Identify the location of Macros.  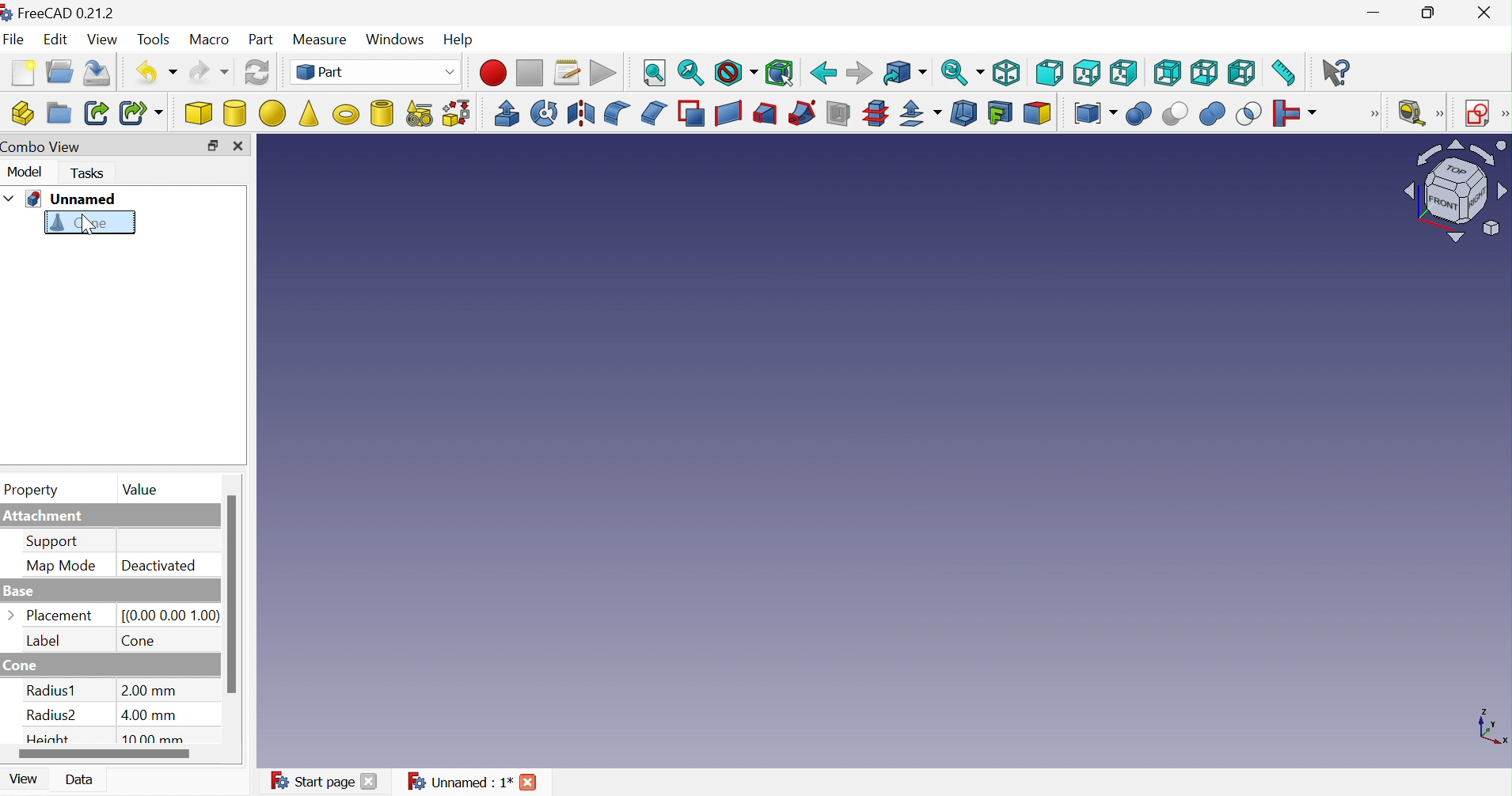
(568, 73).